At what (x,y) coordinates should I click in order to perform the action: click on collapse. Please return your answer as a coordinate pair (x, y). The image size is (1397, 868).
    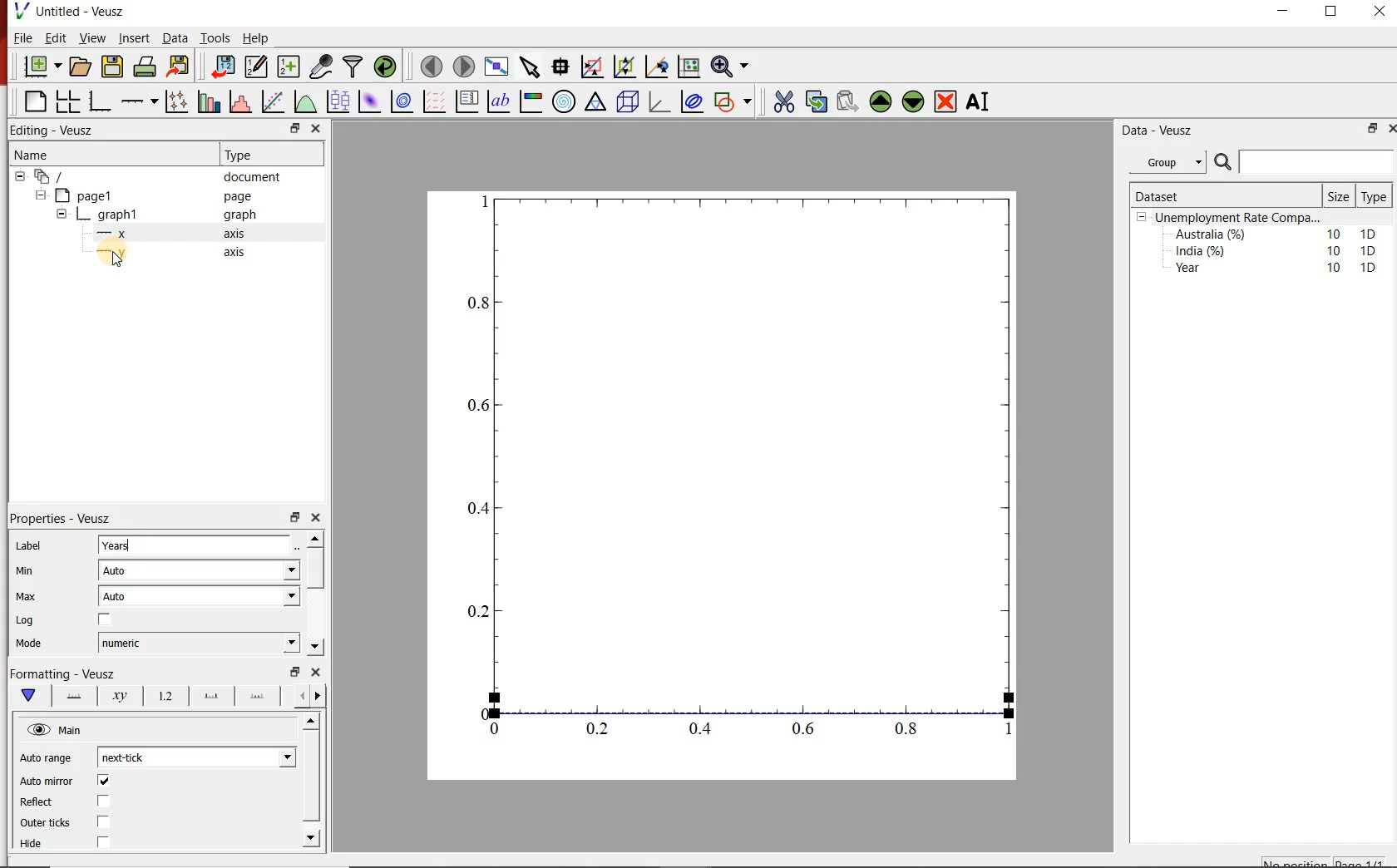
    Looking at the image, I should click on (19, 176).